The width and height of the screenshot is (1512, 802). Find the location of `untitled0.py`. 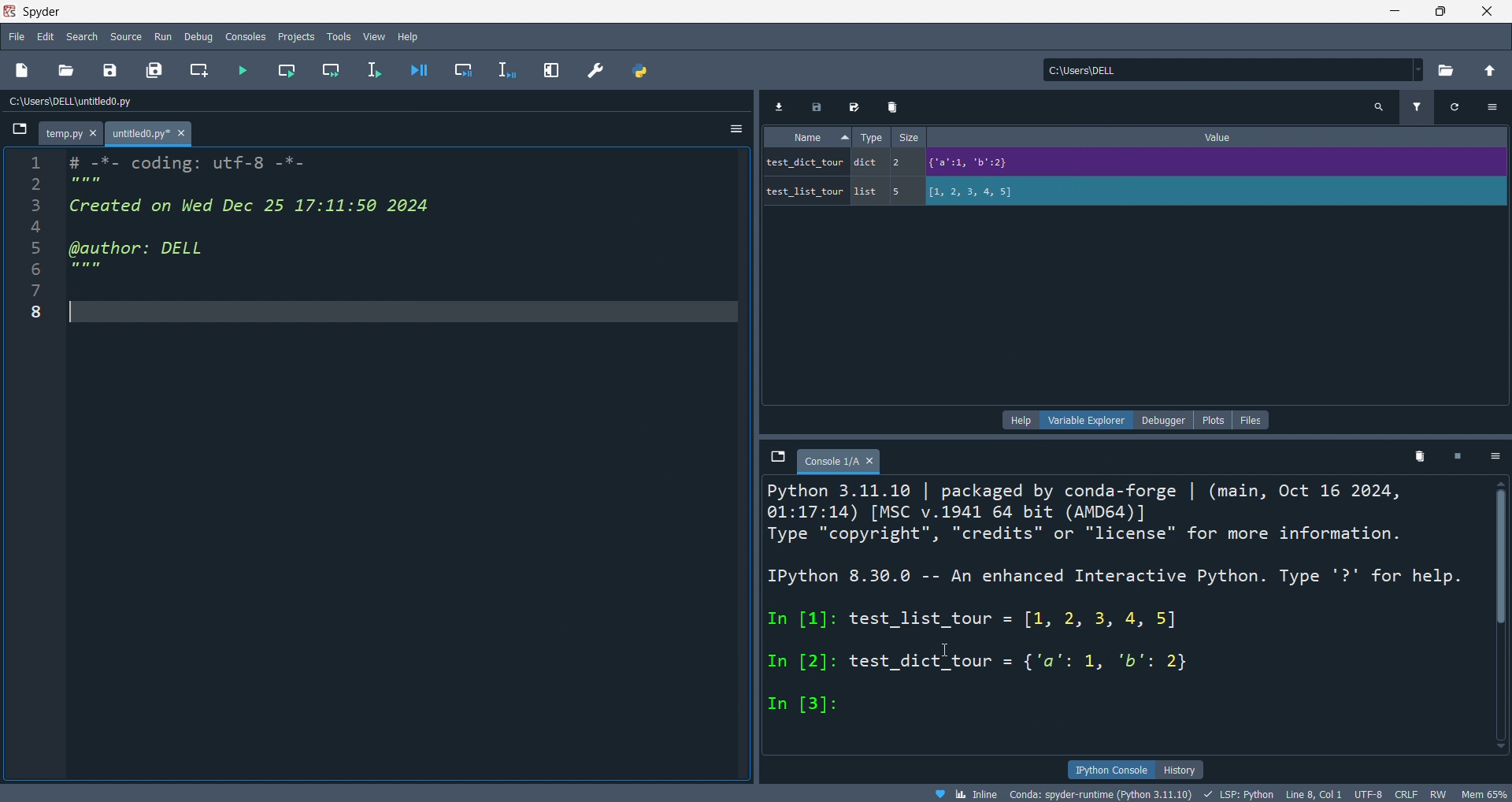

untitled0.py is located at coordinates (154, 133).